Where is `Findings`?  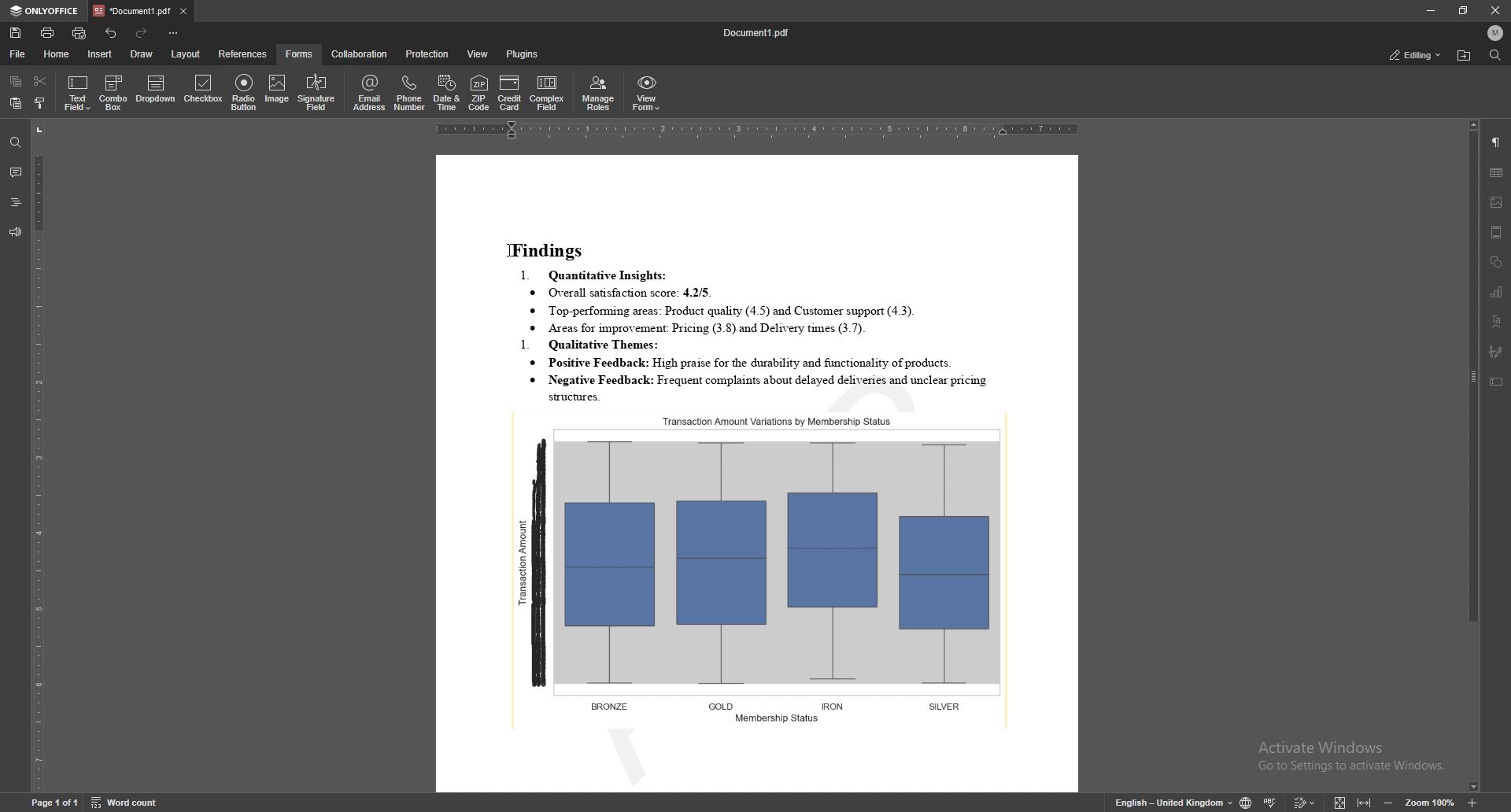 Findings is located at coordinates (552, 248).